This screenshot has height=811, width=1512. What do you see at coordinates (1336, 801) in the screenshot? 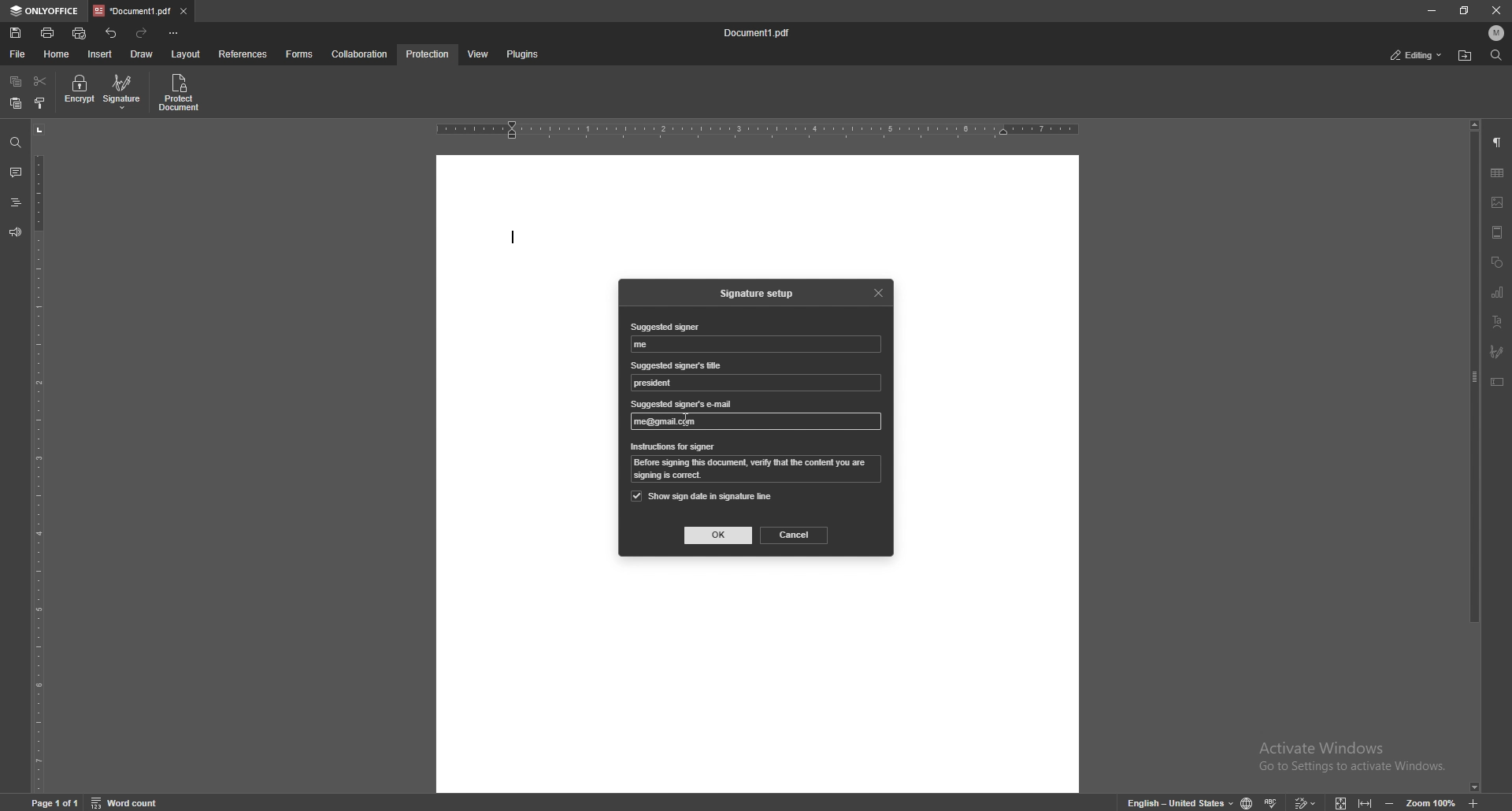
I see `fit to screen` at bounding box center [1336, 801].